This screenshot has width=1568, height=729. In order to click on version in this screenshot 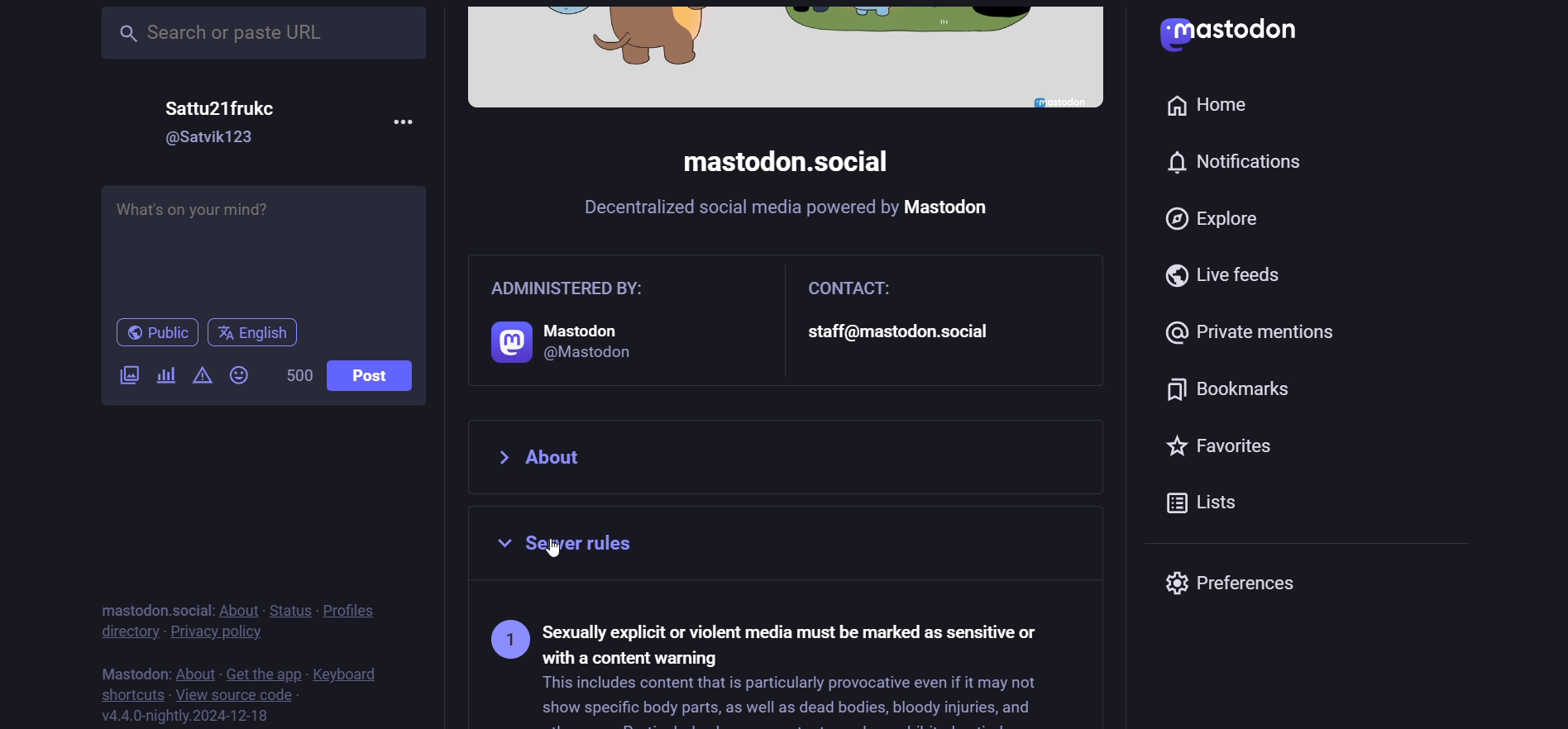, I will do `click(188, 715)`.